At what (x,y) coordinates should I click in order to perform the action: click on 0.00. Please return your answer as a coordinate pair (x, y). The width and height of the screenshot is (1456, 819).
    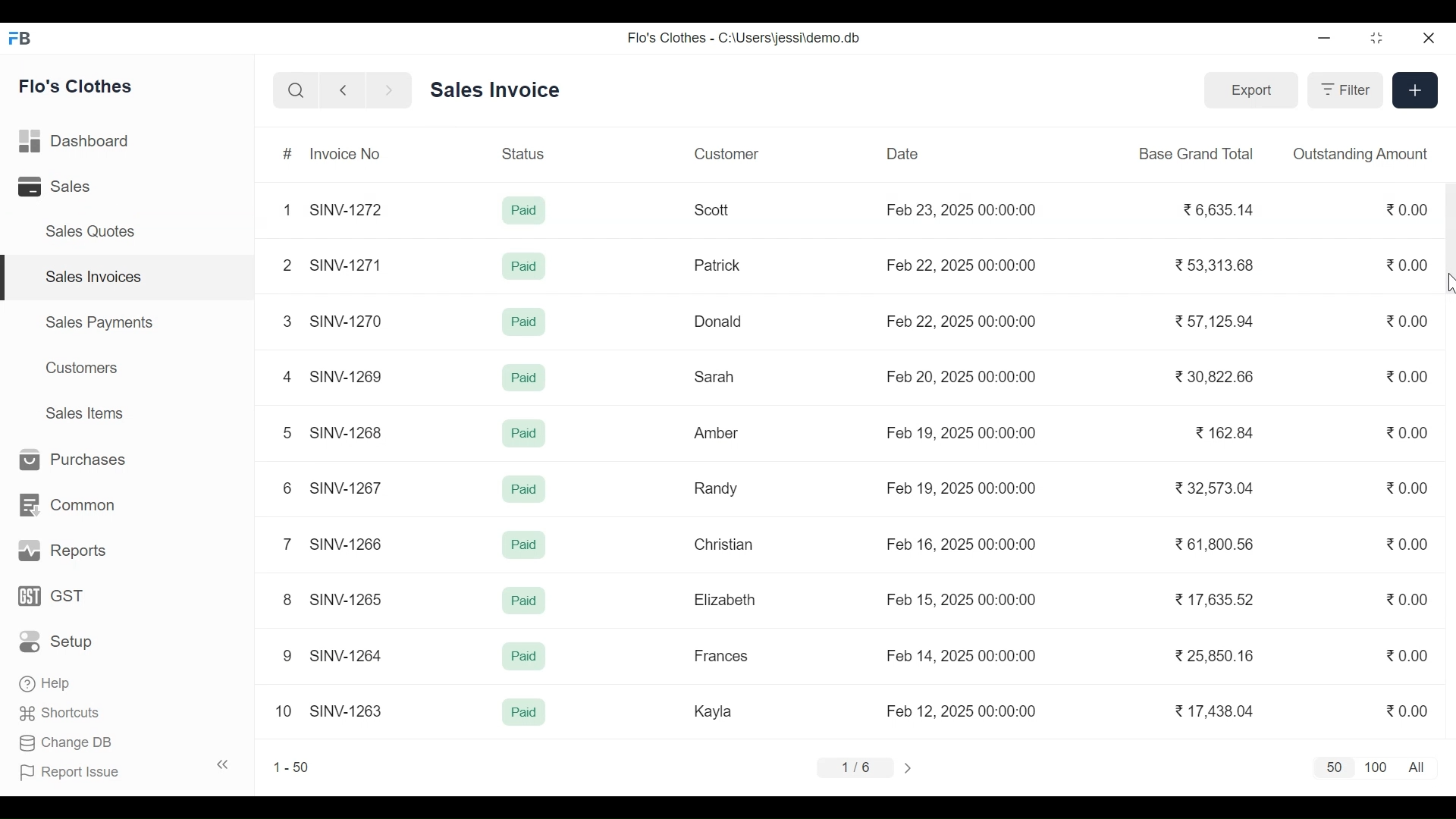
    Looking at the image, I should click on (1408, 433).